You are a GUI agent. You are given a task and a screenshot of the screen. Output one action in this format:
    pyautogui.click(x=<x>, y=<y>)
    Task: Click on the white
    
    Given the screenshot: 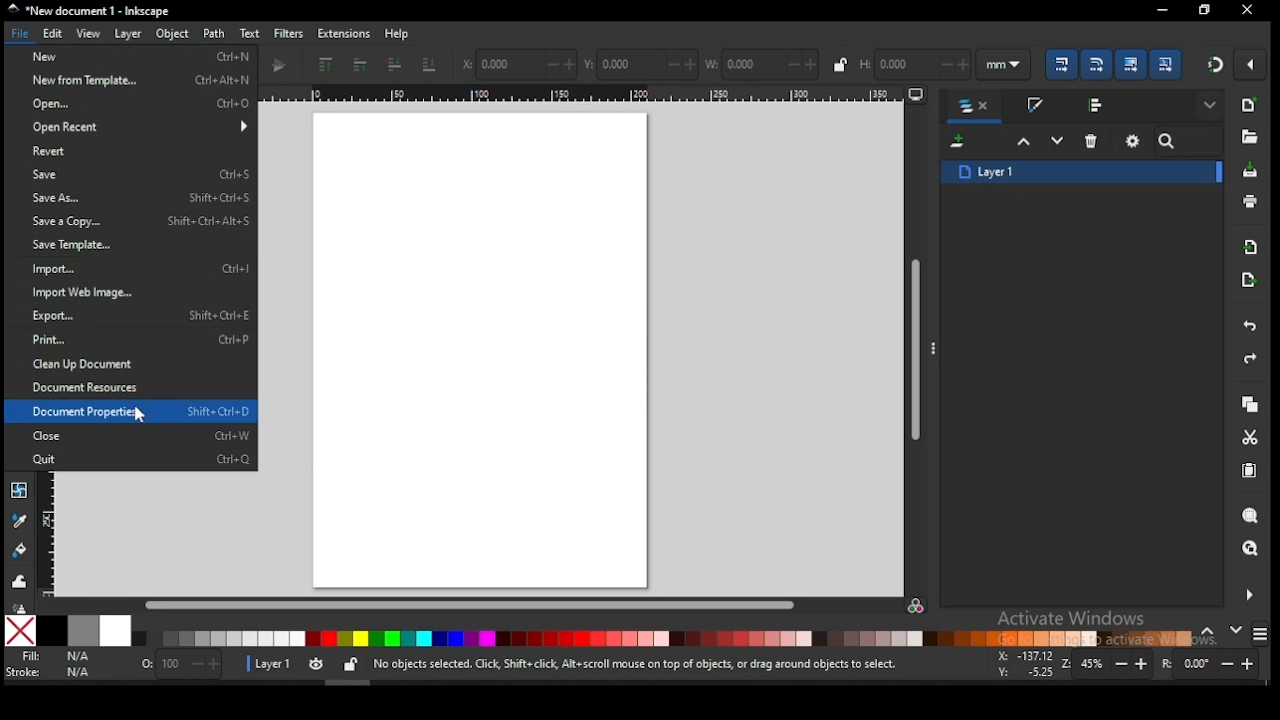 What is the action you would take?
    pyautogui.click(x=115, y=630)
    